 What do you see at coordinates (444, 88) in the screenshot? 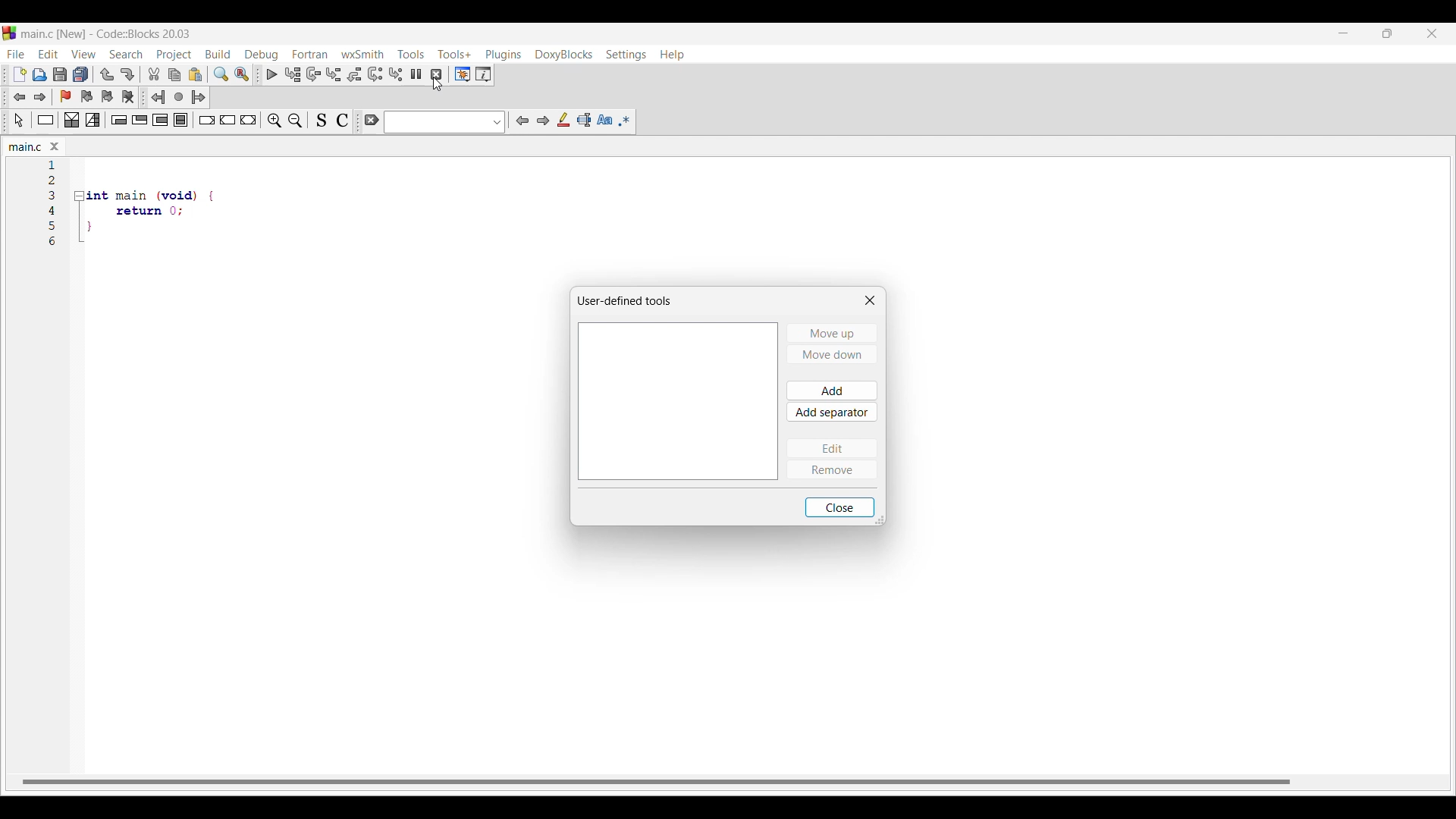
I see `cursor` at bounding box center [444, 88].